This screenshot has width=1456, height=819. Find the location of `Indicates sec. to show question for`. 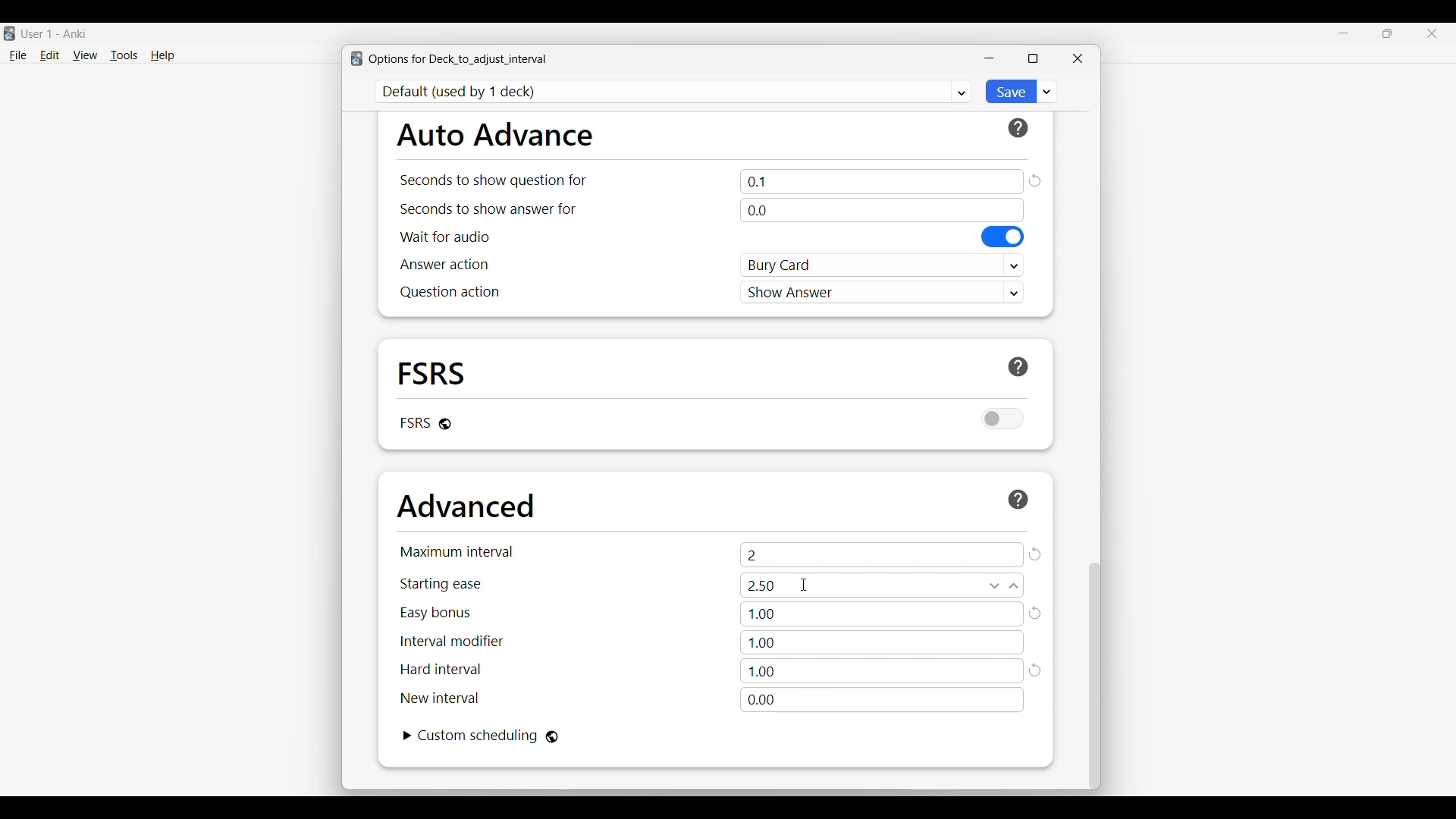

Indicates sec. to show question for is located at coordinates (492, 180).